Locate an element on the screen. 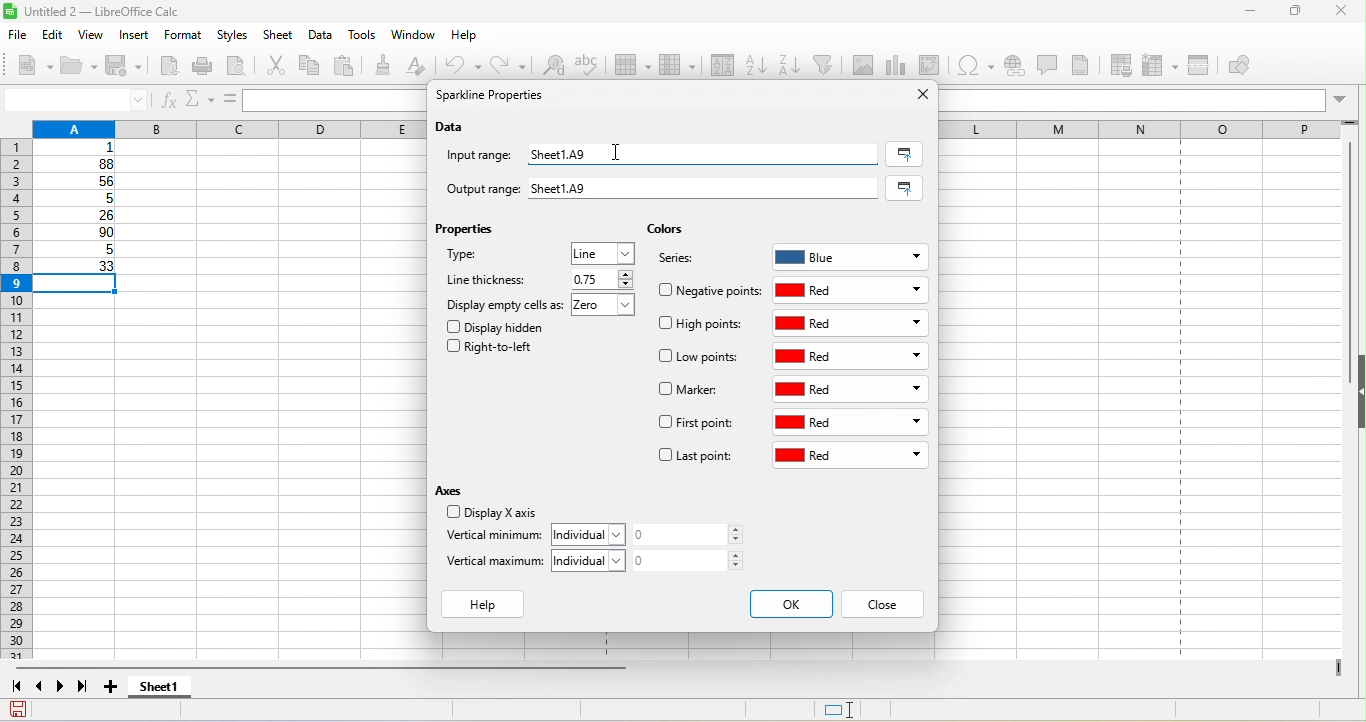 The height and width of the screenshot is (722, 1366). styles is located at coordinates (234, 36).